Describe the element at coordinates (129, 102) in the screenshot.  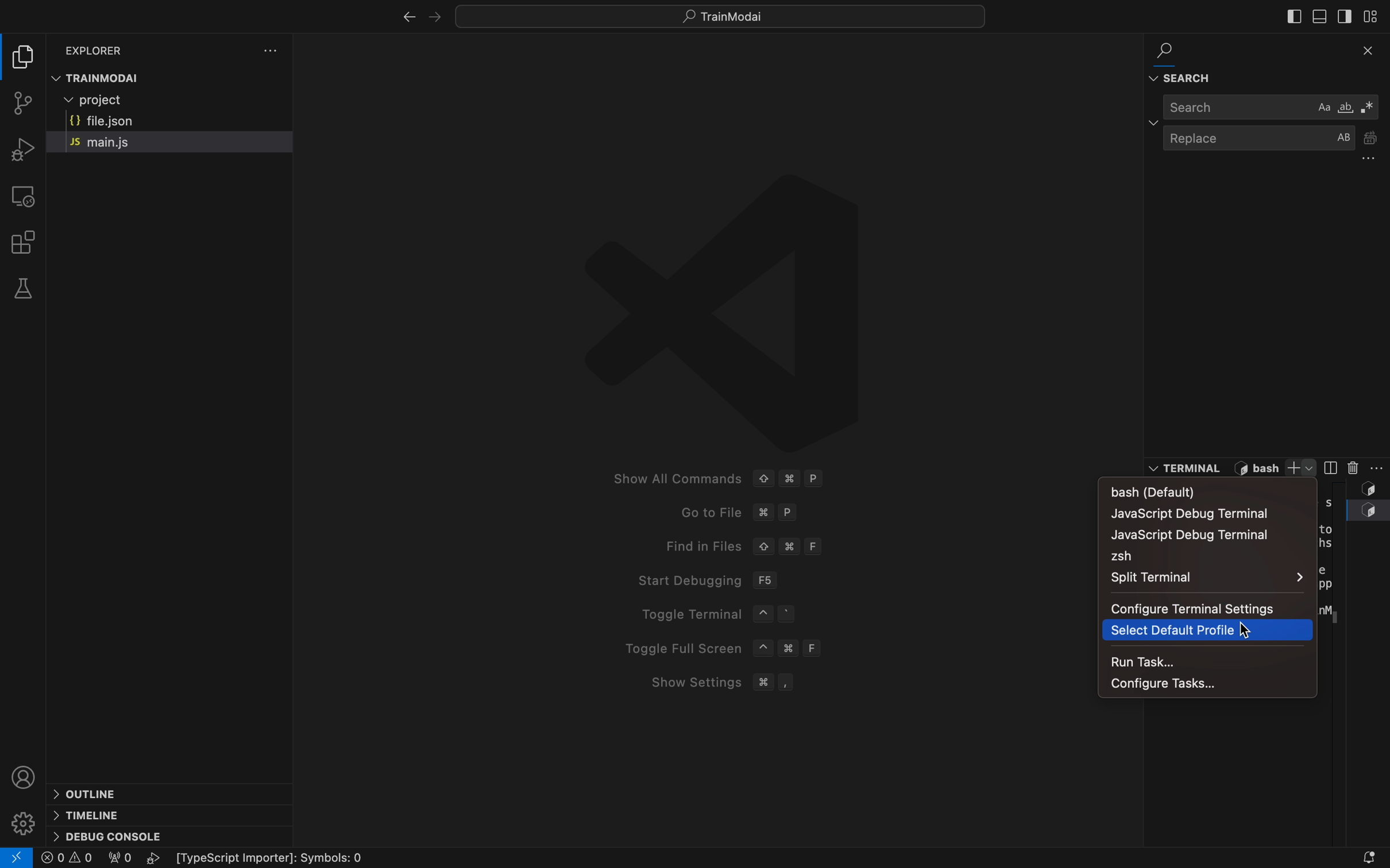
I see `project` at that location.